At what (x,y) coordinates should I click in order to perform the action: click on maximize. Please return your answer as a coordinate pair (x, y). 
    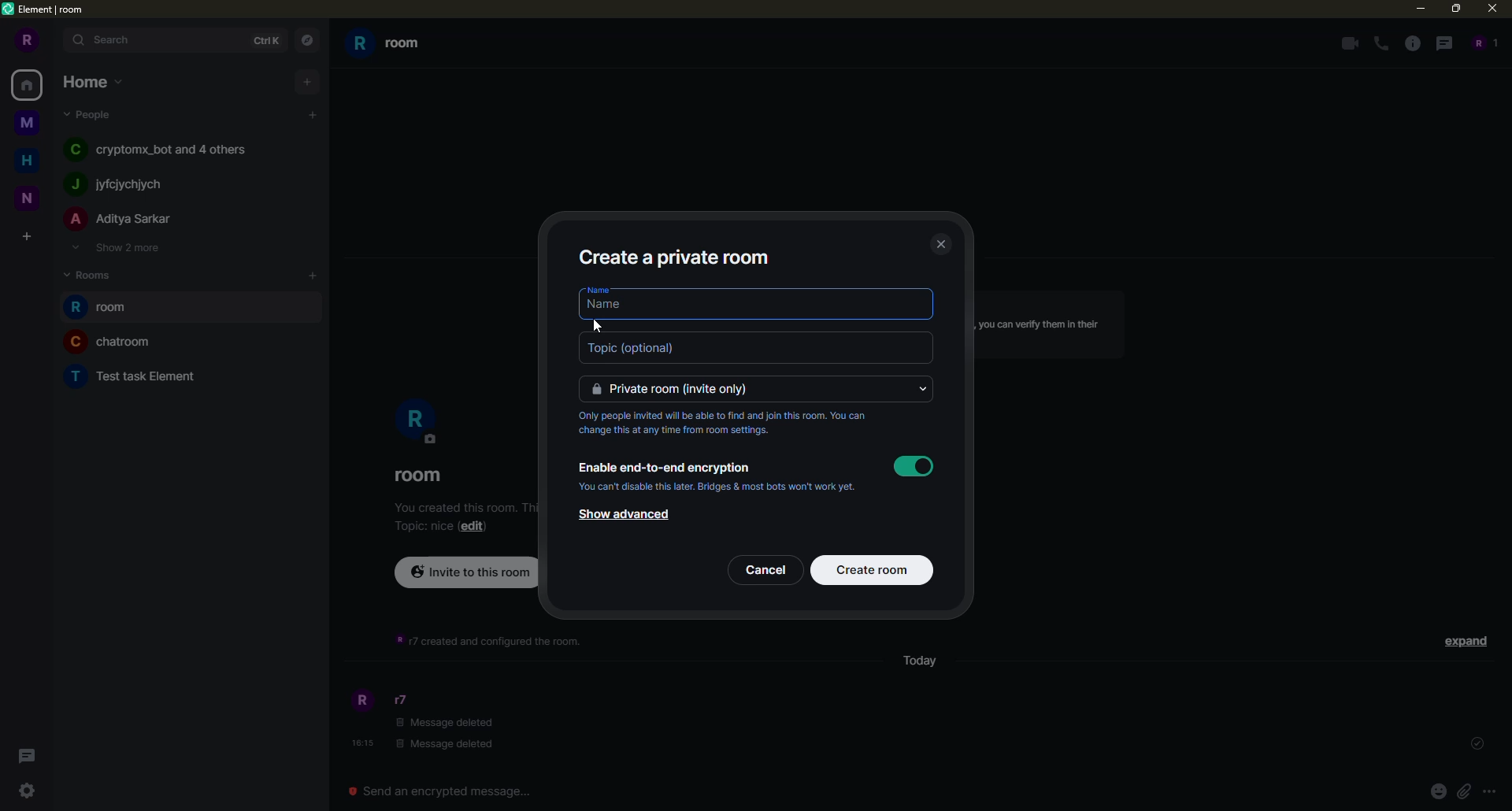
    Looking at the image, I should click on (1453, 9).